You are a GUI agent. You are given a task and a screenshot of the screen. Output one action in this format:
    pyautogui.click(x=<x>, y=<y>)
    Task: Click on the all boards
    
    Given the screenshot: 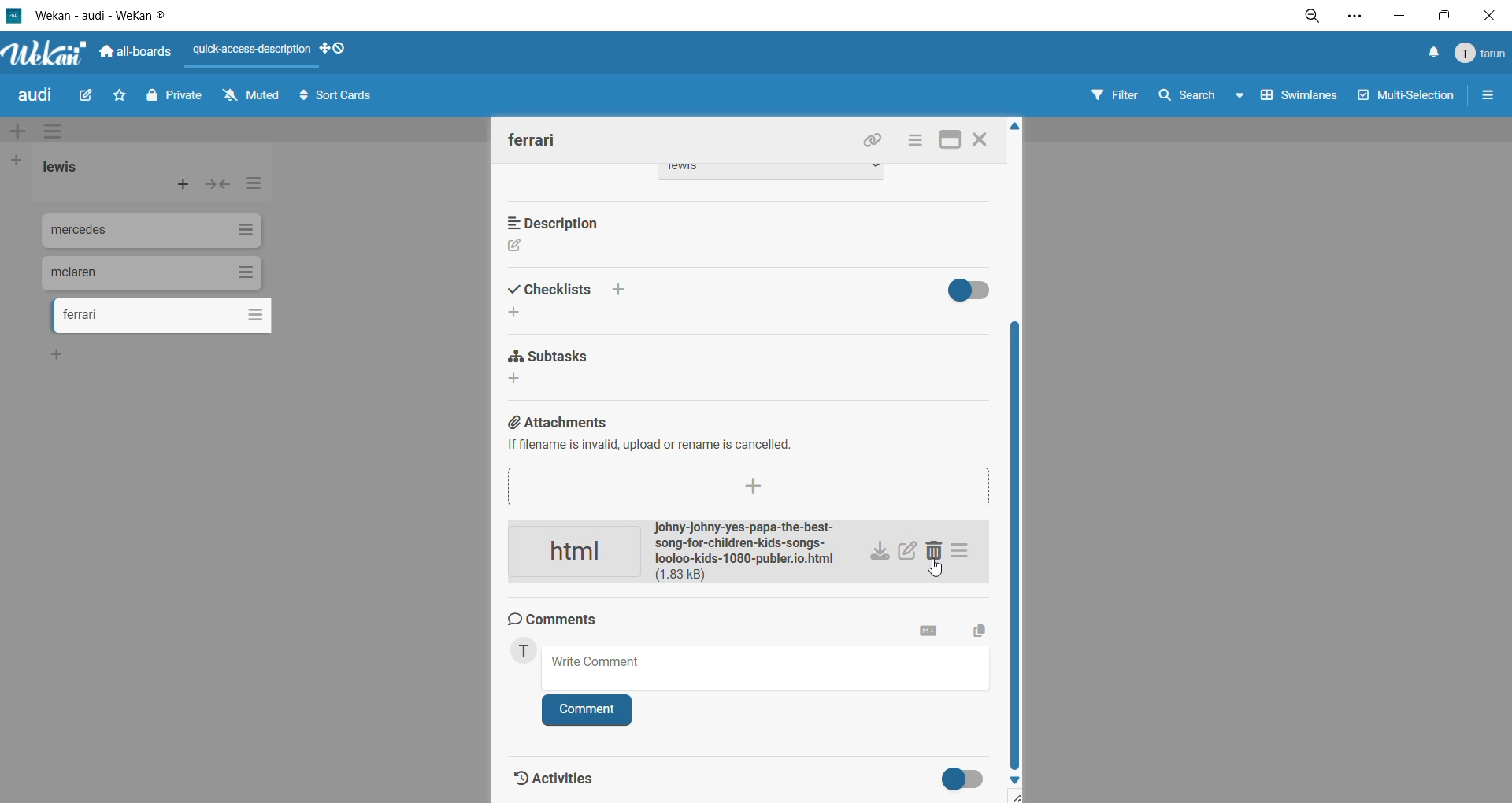 What is the action you would take?
    pyautogui.click(x=135, y=53)
    